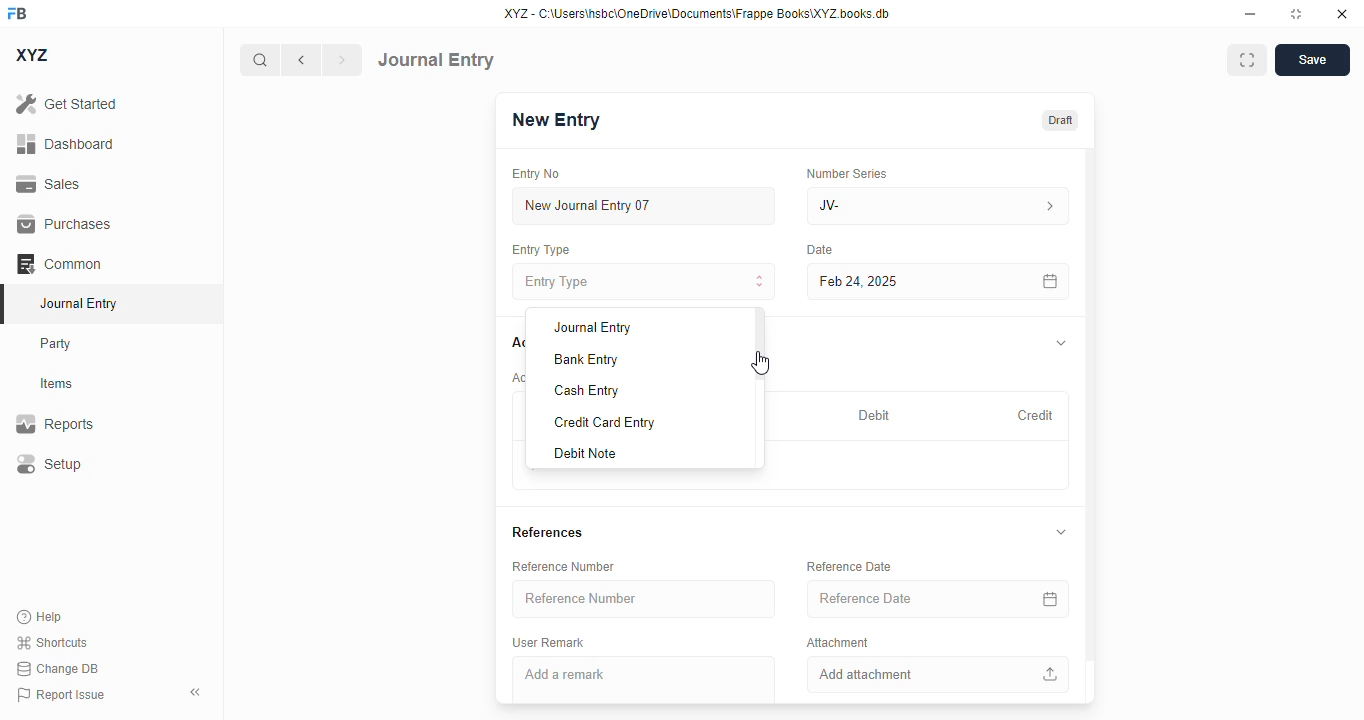 The height and width of the screenshot is (720, 1364). I want to click on reports, so click(55, 423).